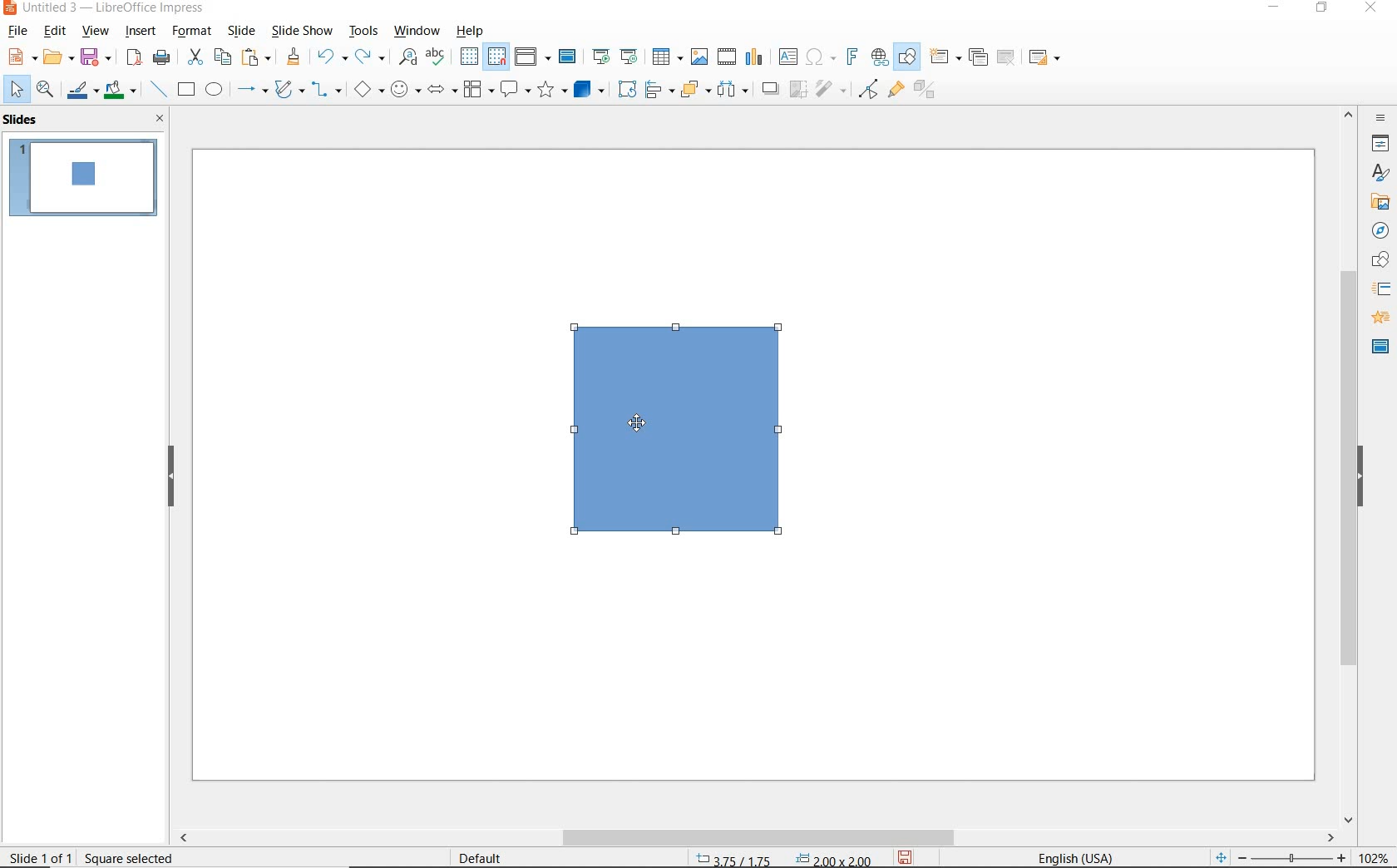 This screenshot has width=1397, height=868. Describe the element at coordinates (832, 91) in the screenshot. I see `filter` at that location.